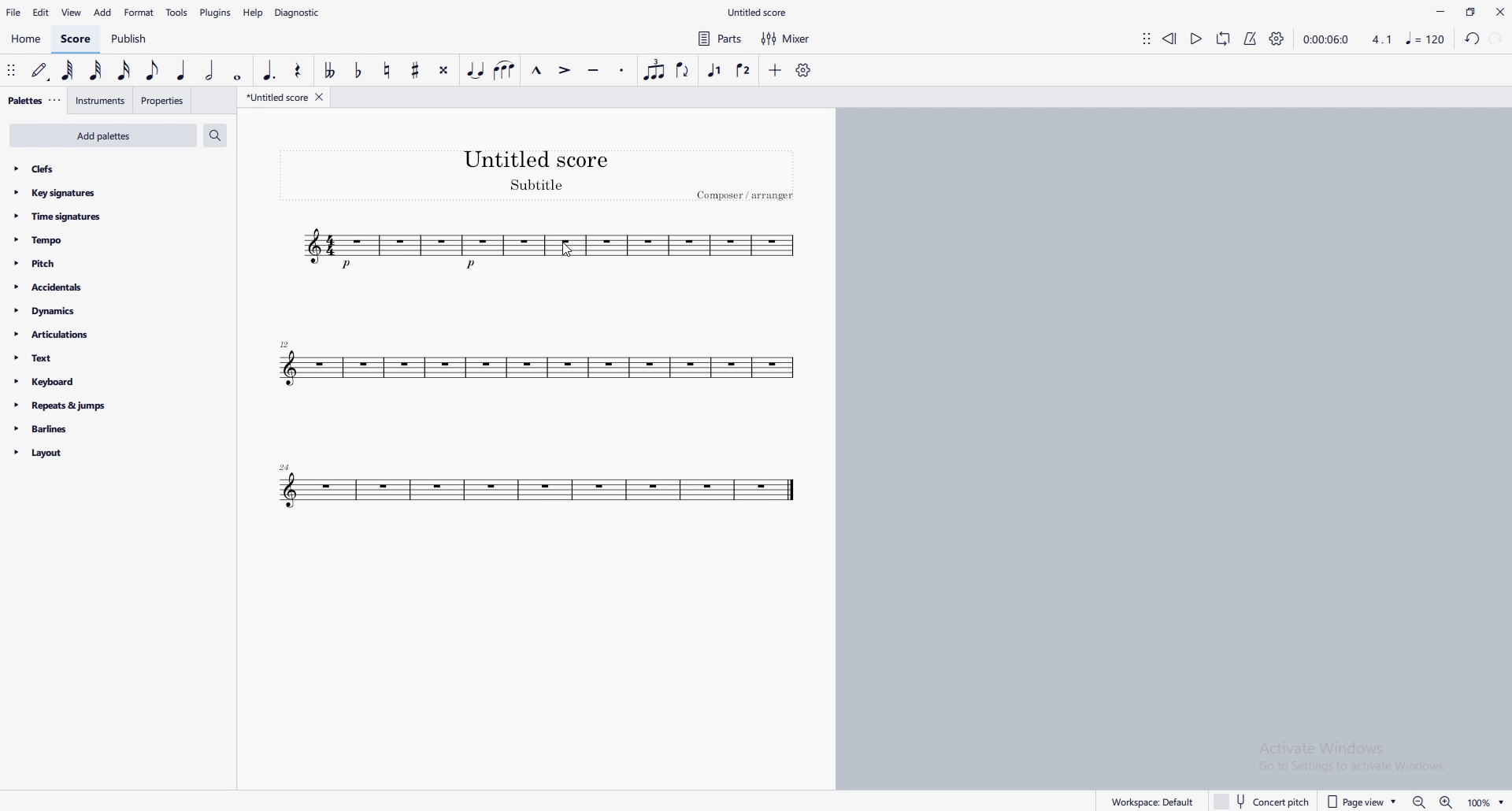  What do you see at coordinates (102, 168) in the screenshot?
I see `clefs` at bounding box center [102, 168].